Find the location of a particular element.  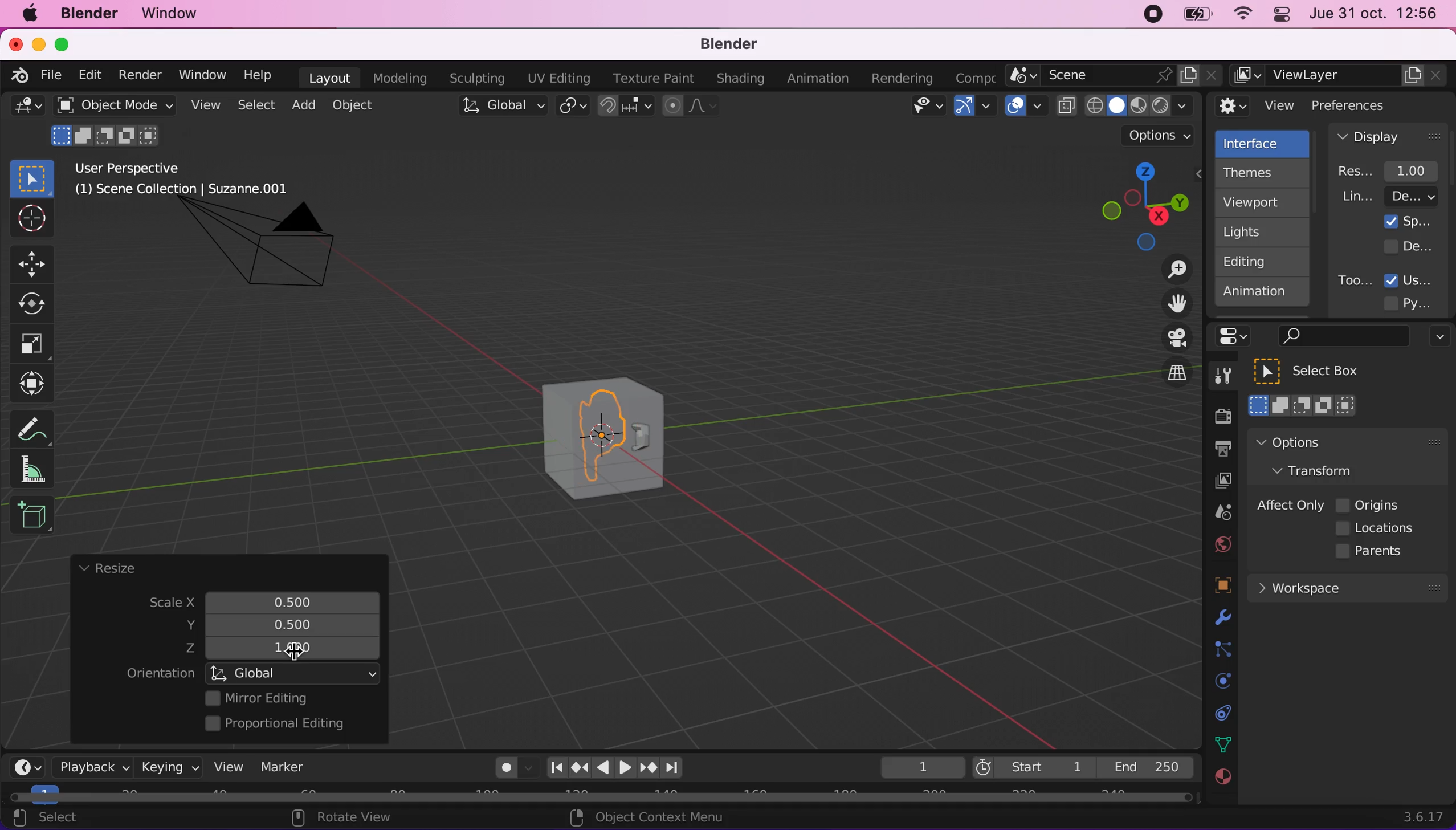

global is located at coordinates (500, 108).